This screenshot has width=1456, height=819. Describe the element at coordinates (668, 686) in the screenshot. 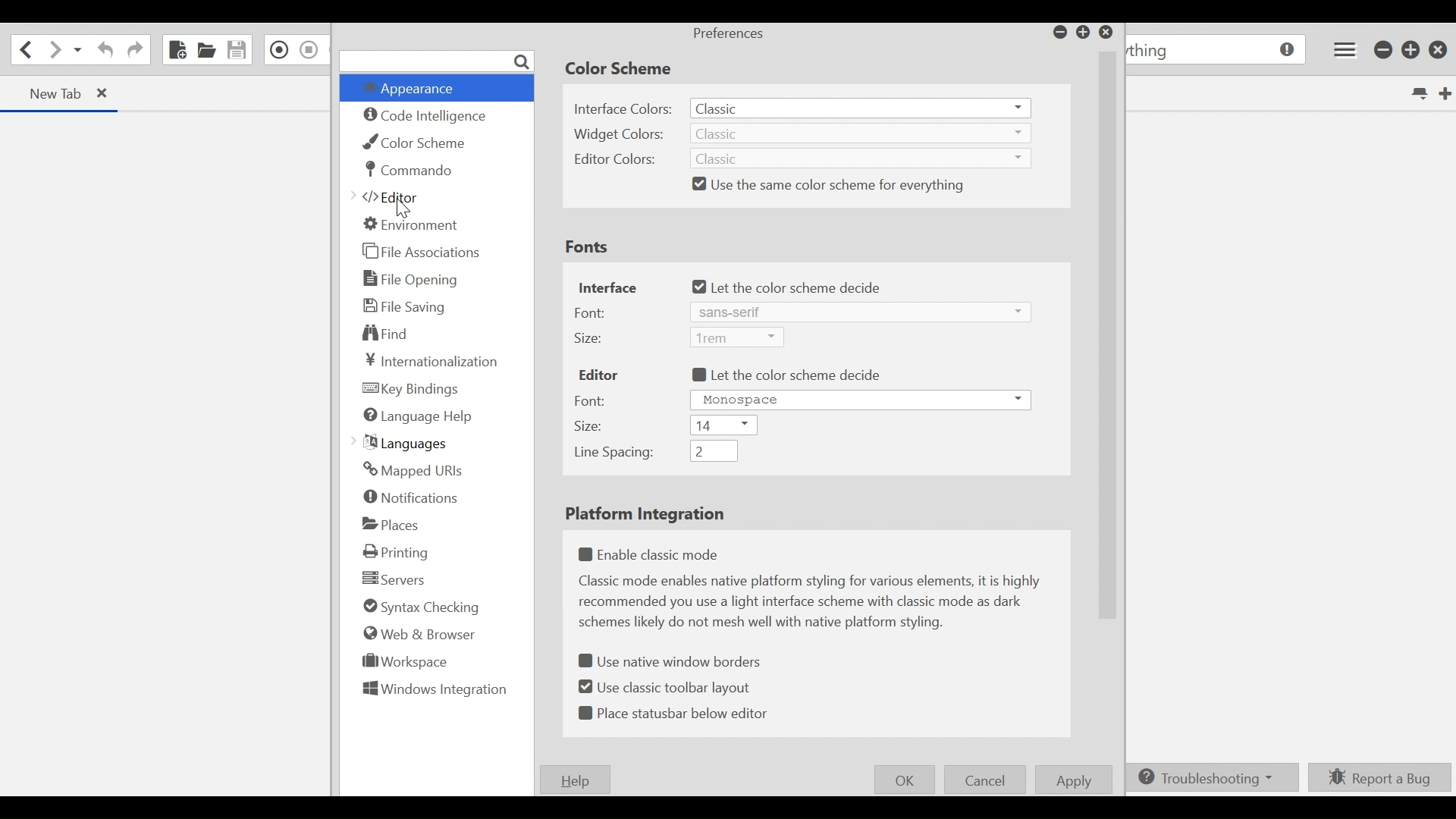

I see `(un)select classic toolbar layout` at that location.